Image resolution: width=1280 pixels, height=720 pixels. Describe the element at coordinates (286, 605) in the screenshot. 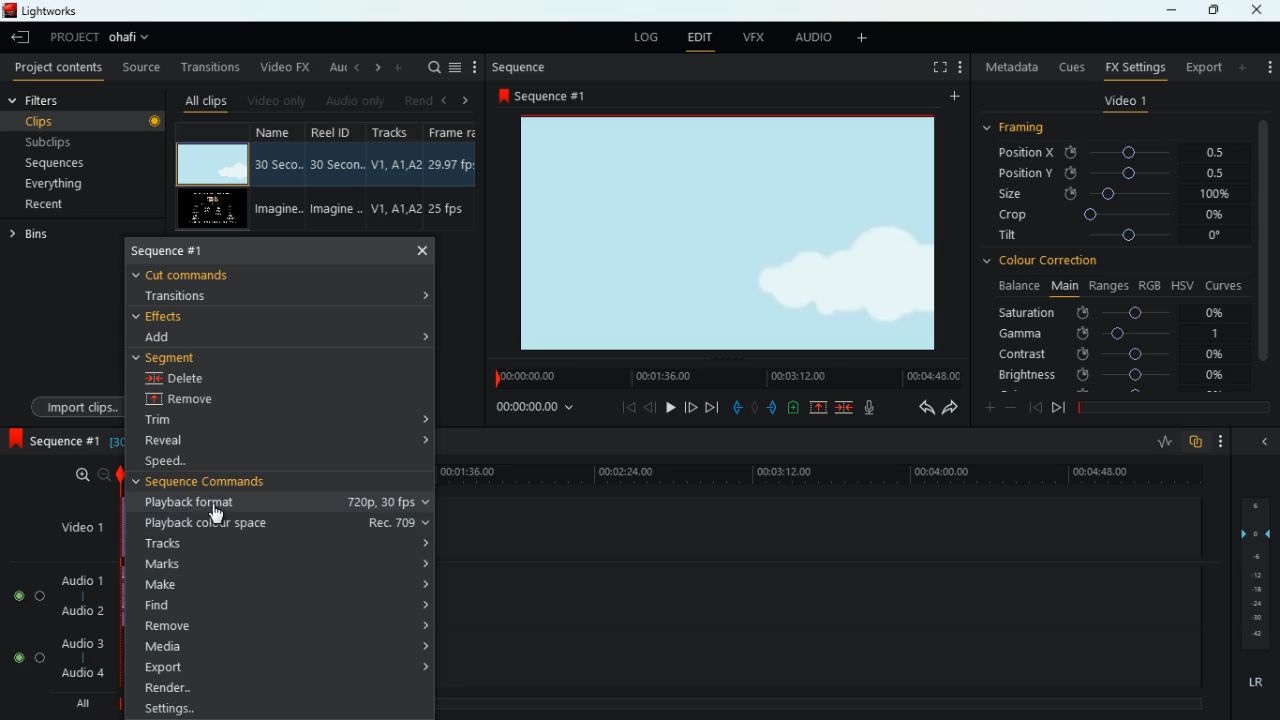

I see `find` at that location.